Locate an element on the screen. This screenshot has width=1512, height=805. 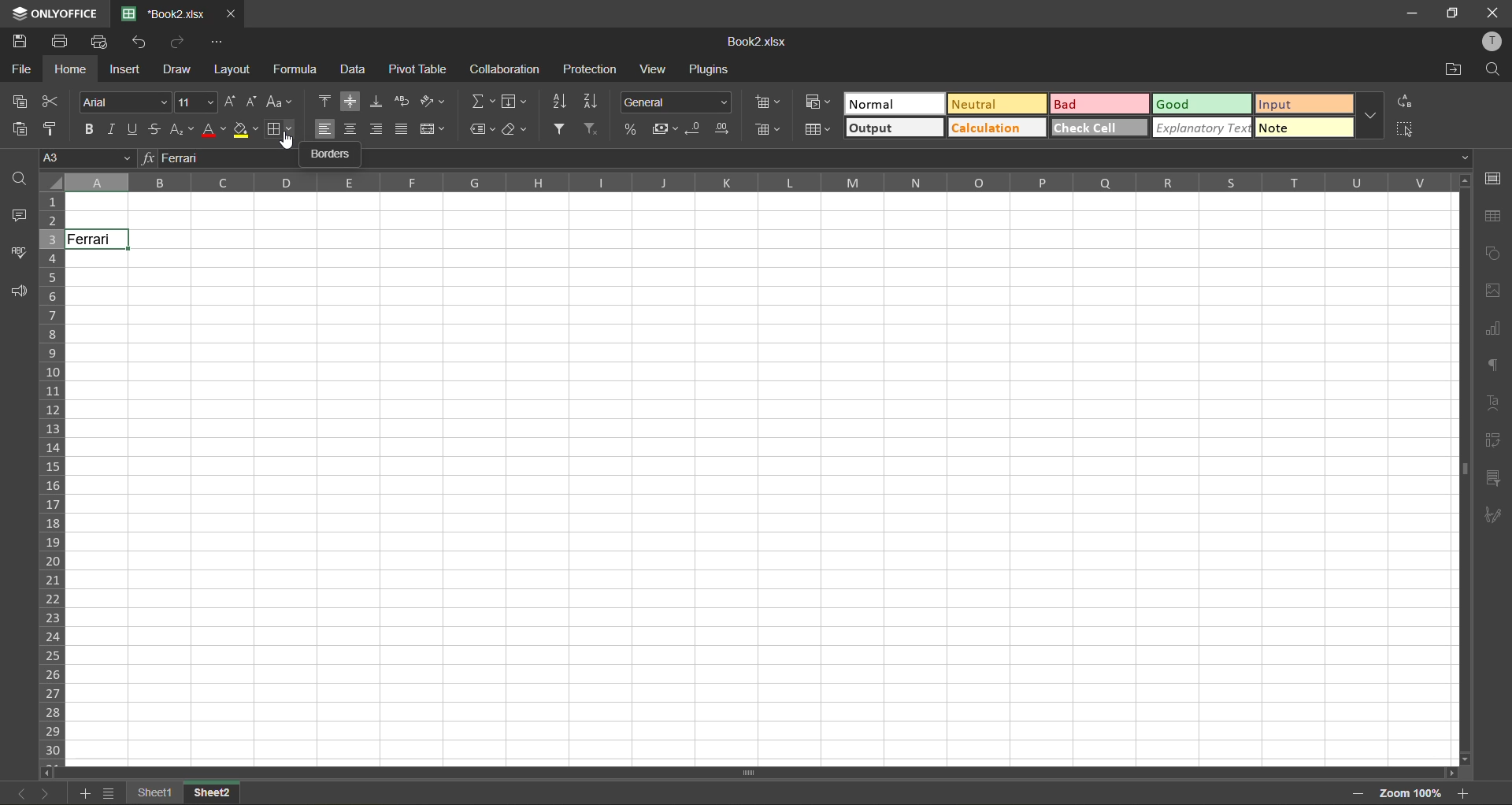
good is located at coordinates (1203, 105).